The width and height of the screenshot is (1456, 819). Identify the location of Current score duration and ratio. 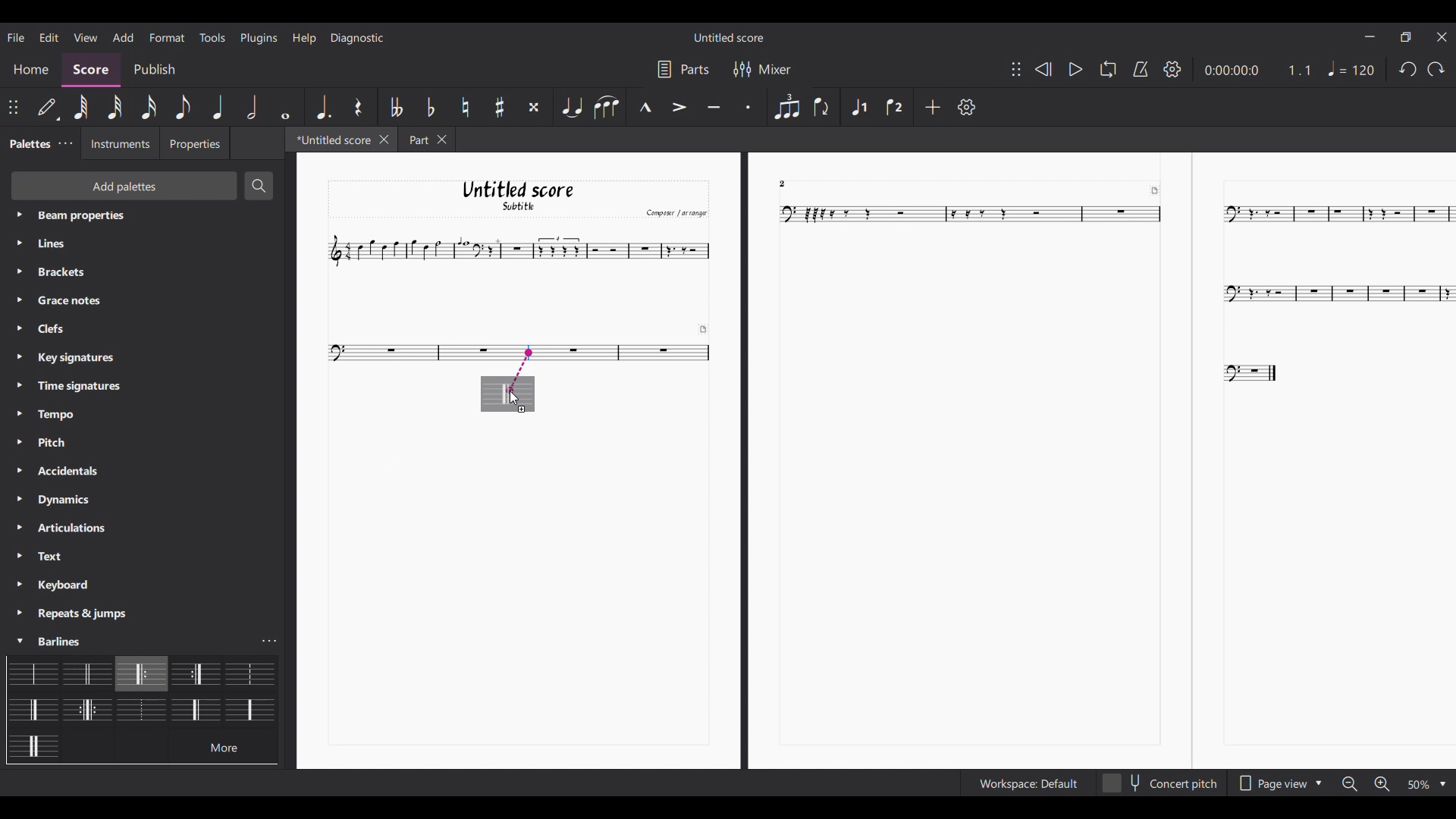
(1257, 70).